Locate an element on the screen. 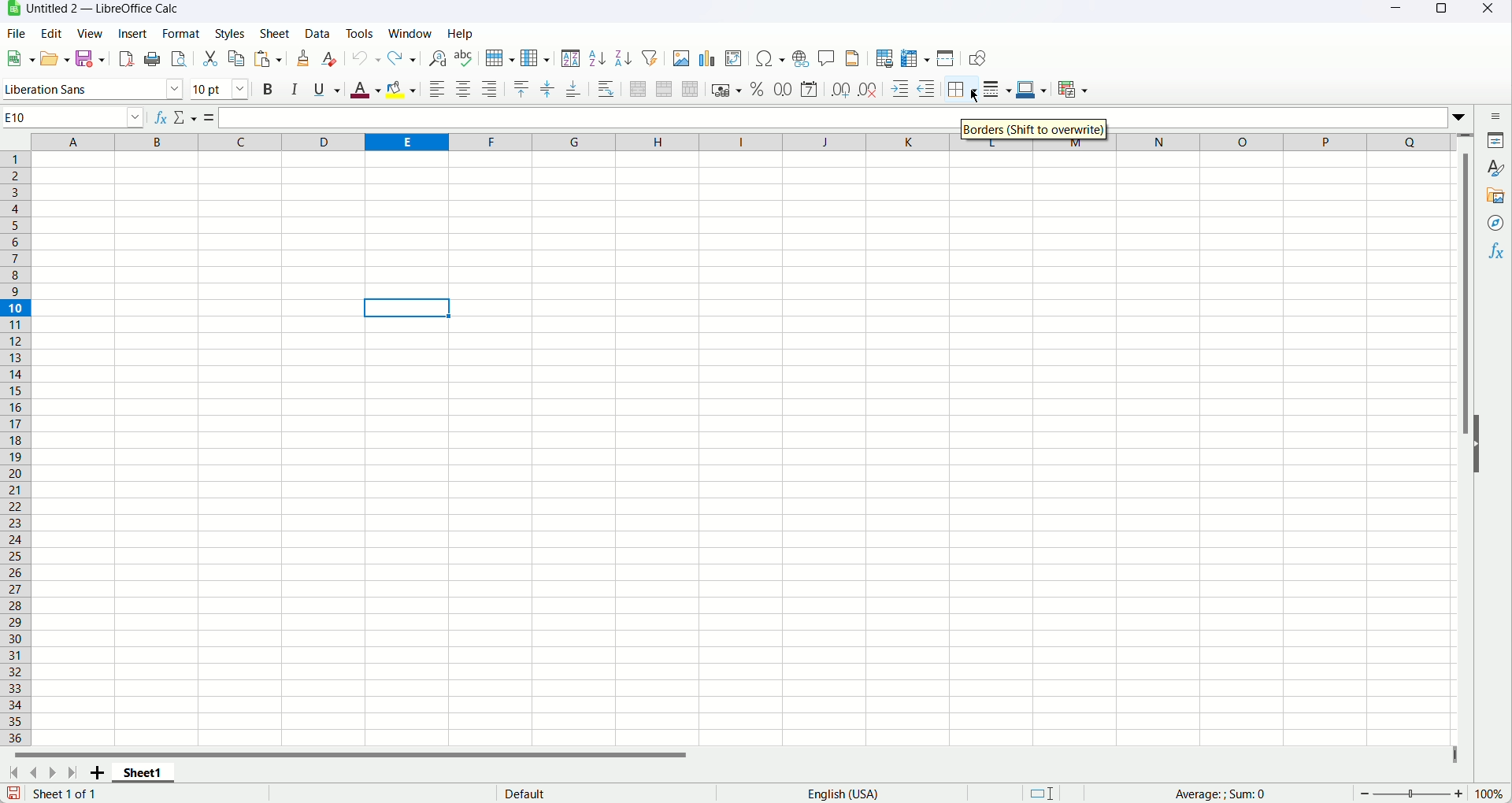 The width and height of the screenshot is (1512, 803). Insert comment is located at coordinates (826, 58).